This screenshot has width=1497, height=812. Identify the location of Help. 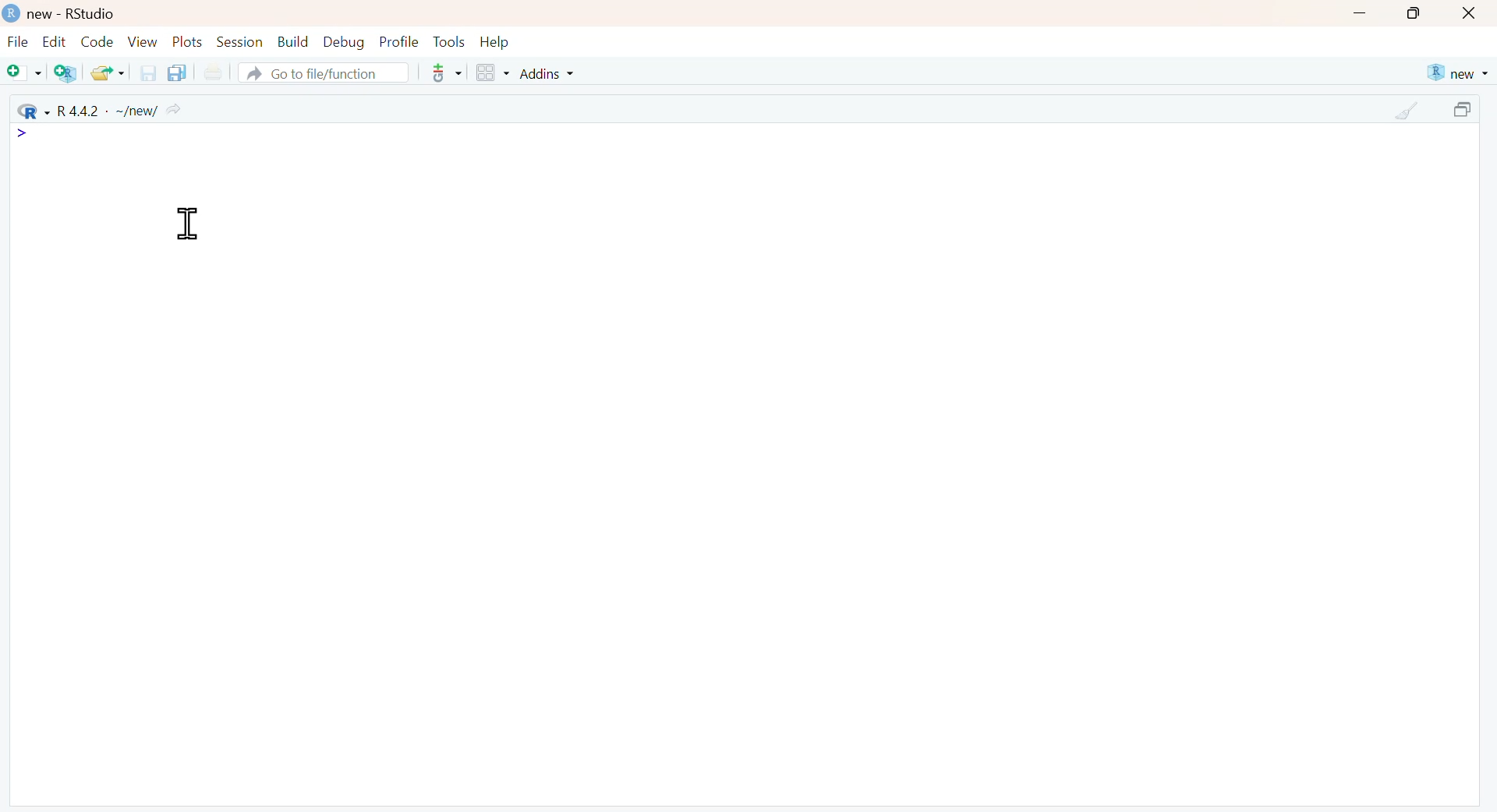
(495, 42).